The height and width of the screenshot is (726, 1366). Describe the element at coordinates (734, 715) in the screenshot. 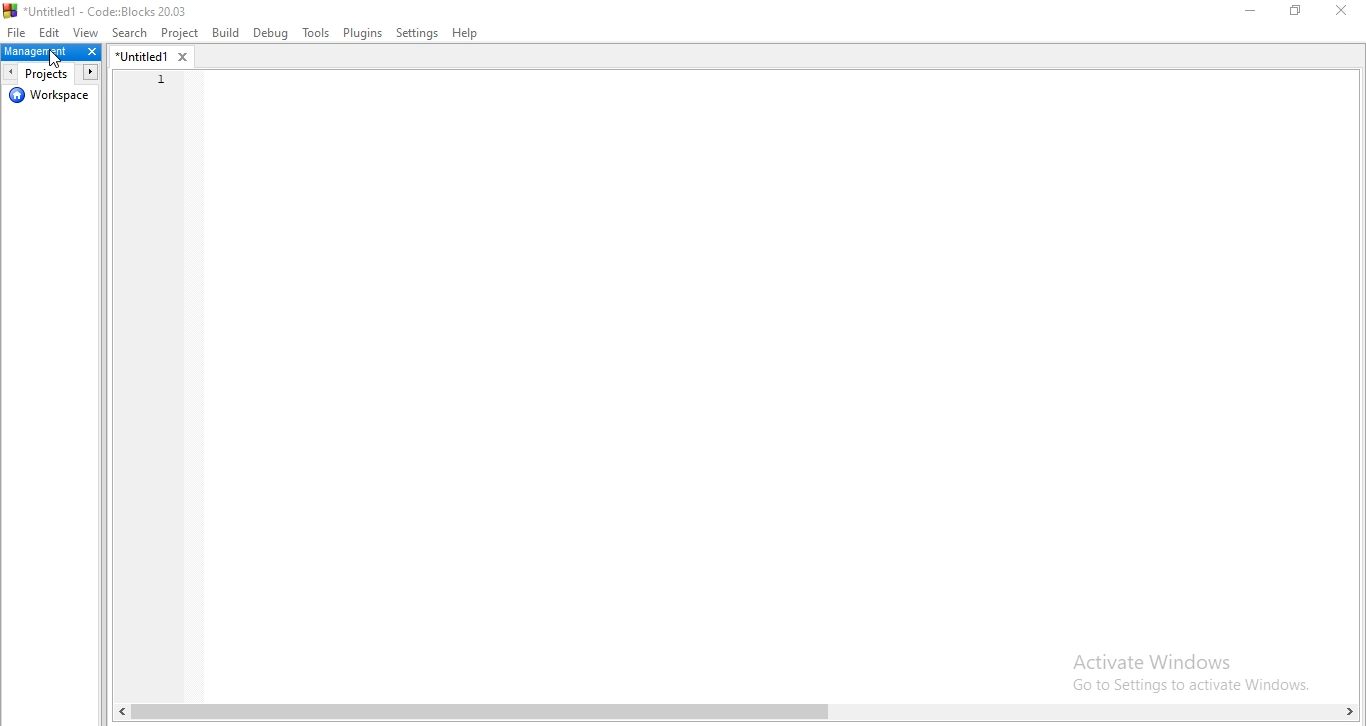

I see `scroll bar` at that location.